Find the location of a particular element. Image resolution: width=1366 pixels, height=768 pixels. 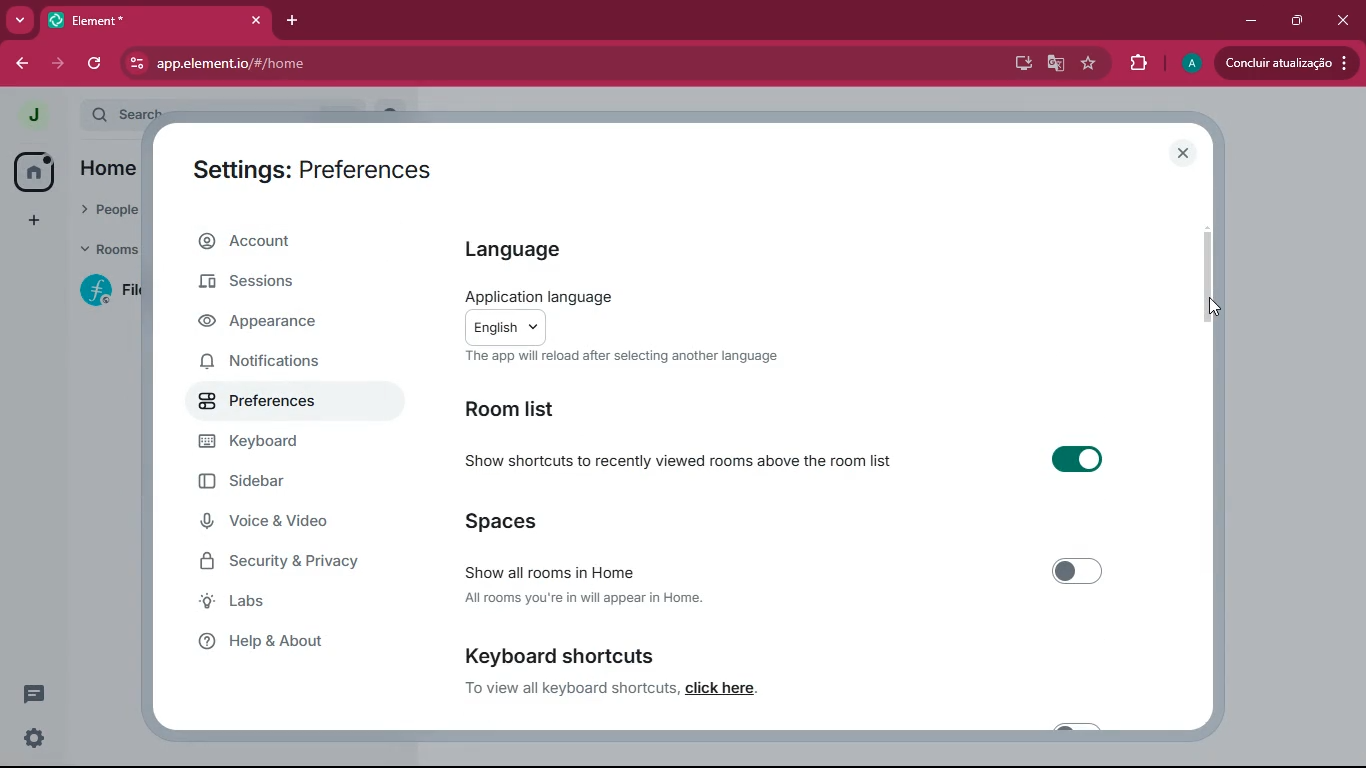

add tab is located at coordinates (292, 21).